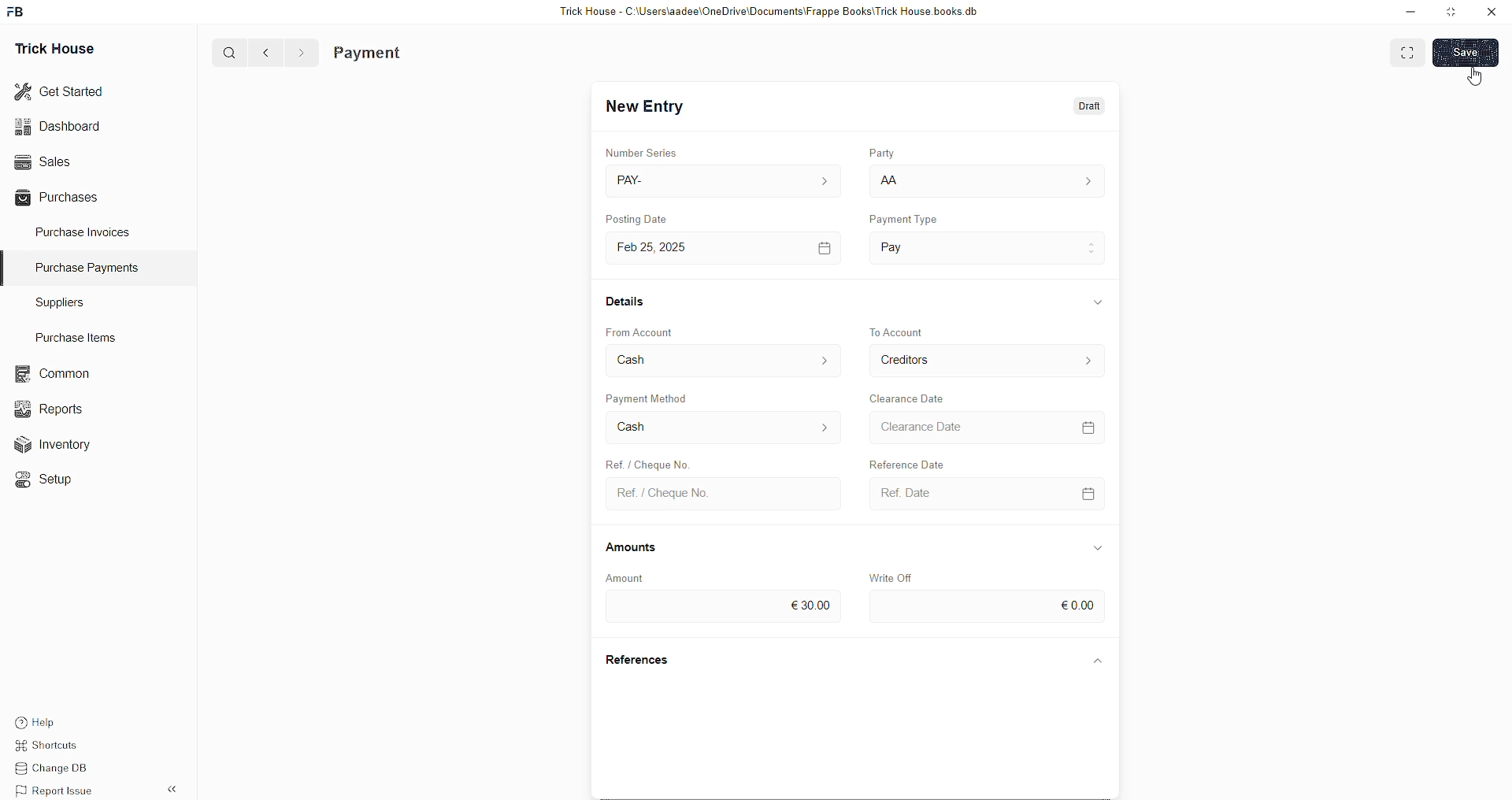 This screenshot has height=800, width=1512. Describe the element at coordinates (224, 51) in the screenshot. I see `Q` at that location.